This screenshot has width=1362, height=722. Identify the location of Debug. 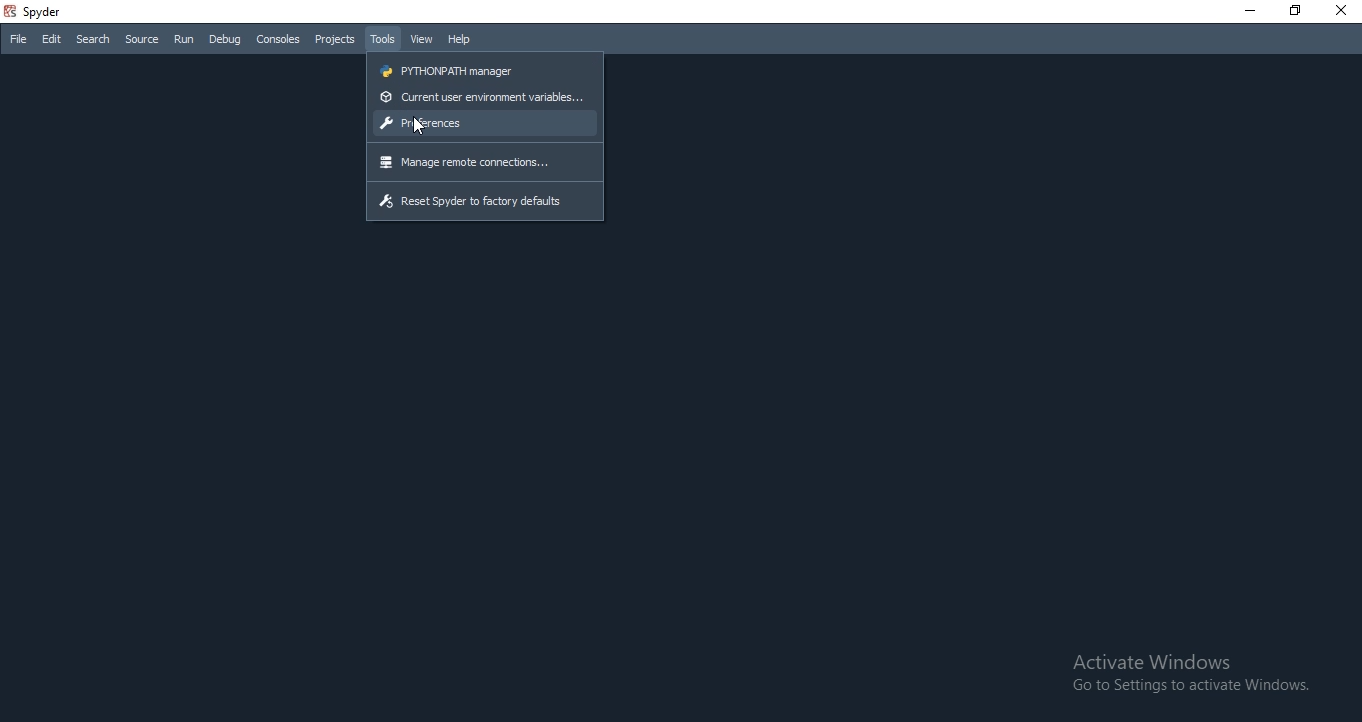
(223, 39).